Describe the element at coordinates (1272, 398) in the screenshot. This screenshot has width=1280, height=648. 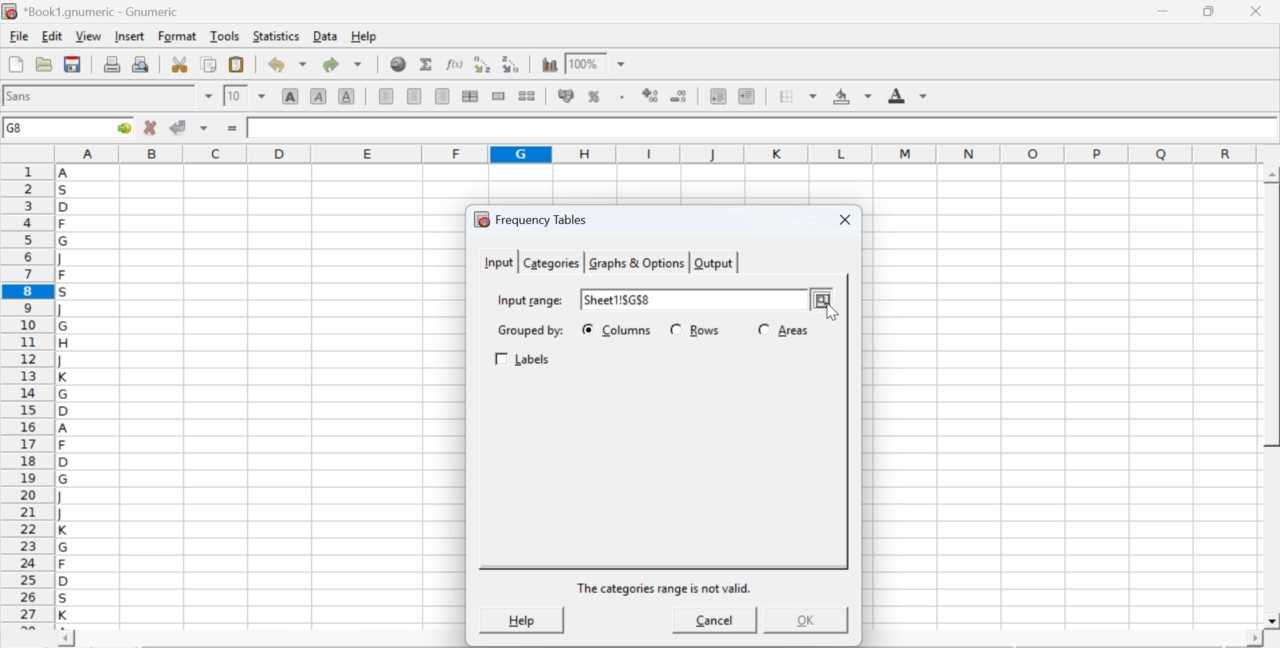
I see `scroll bar` at that location.